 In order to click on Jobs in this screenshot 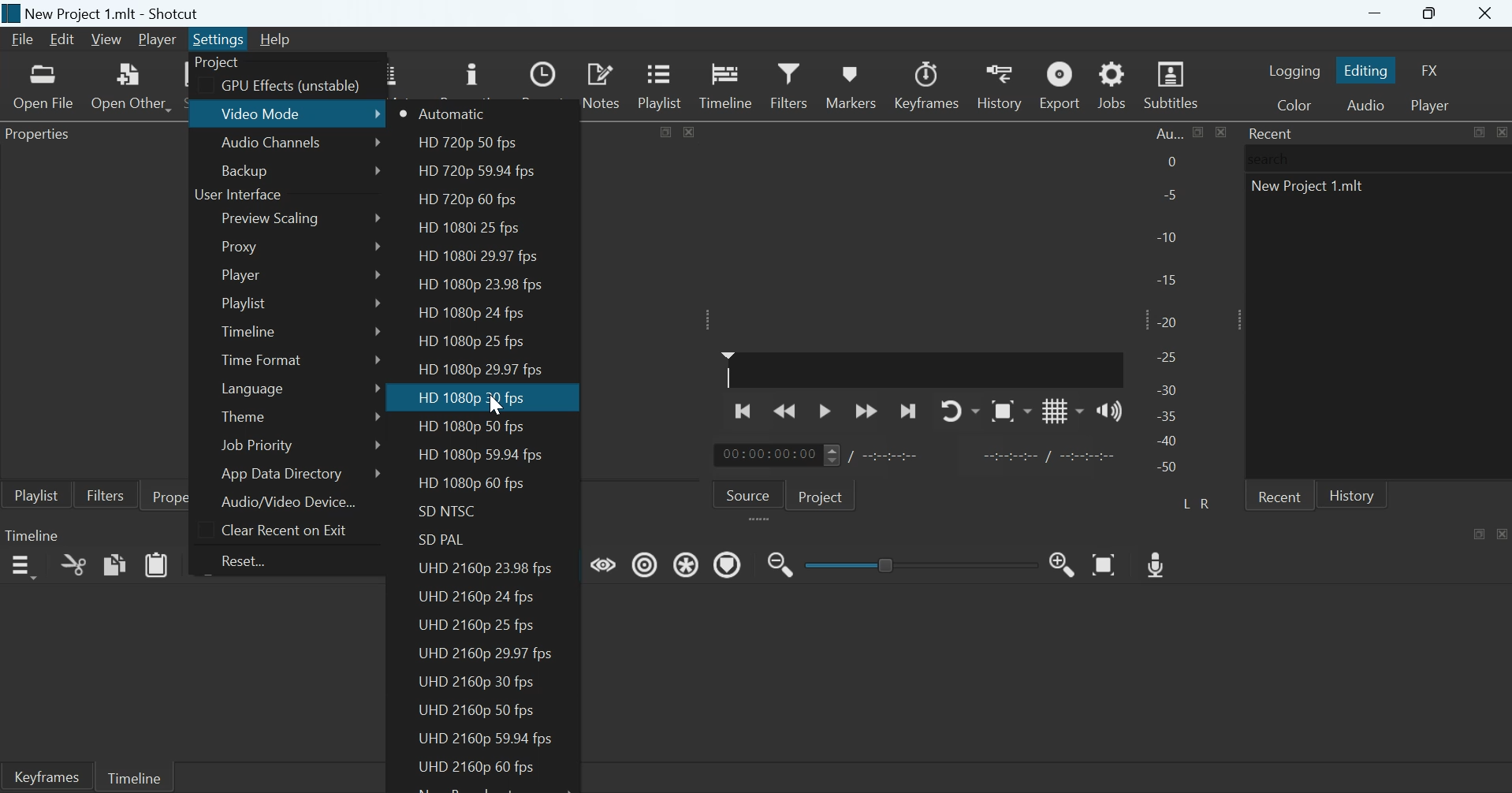, I will do `click(1112, 84)`.